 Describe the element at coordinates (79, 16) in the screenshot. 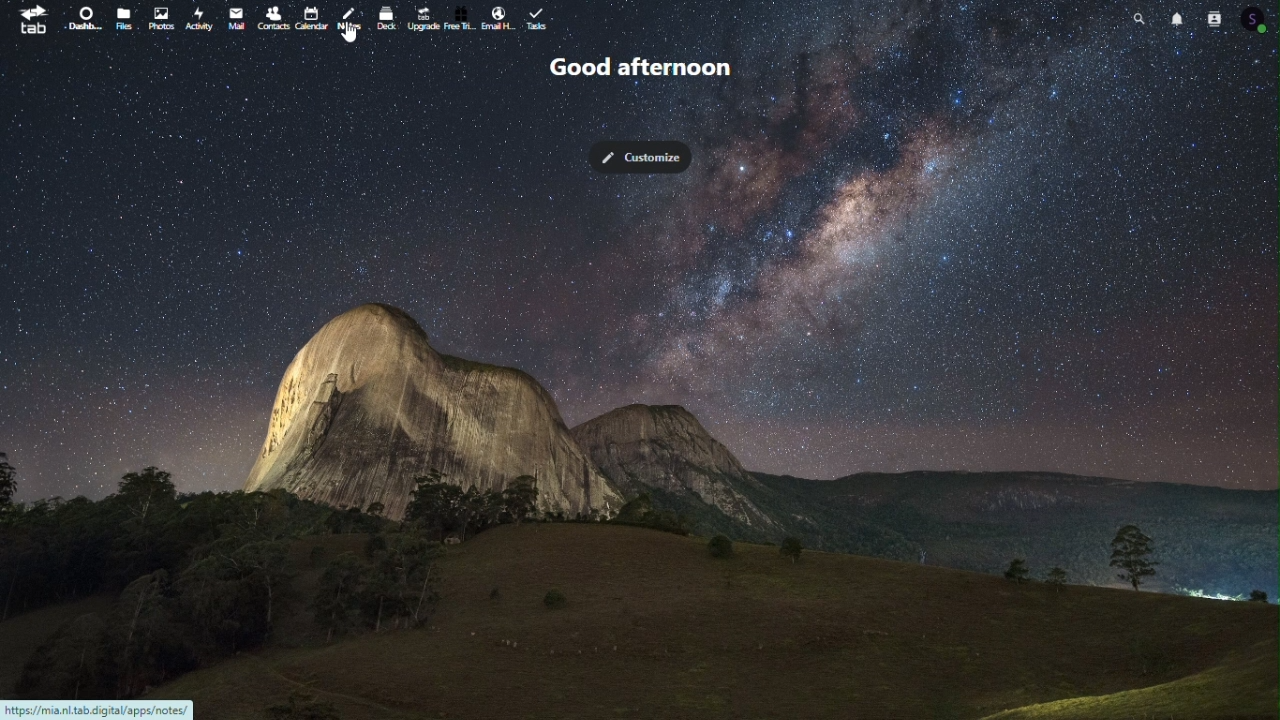

I see `dashboard` at that location.